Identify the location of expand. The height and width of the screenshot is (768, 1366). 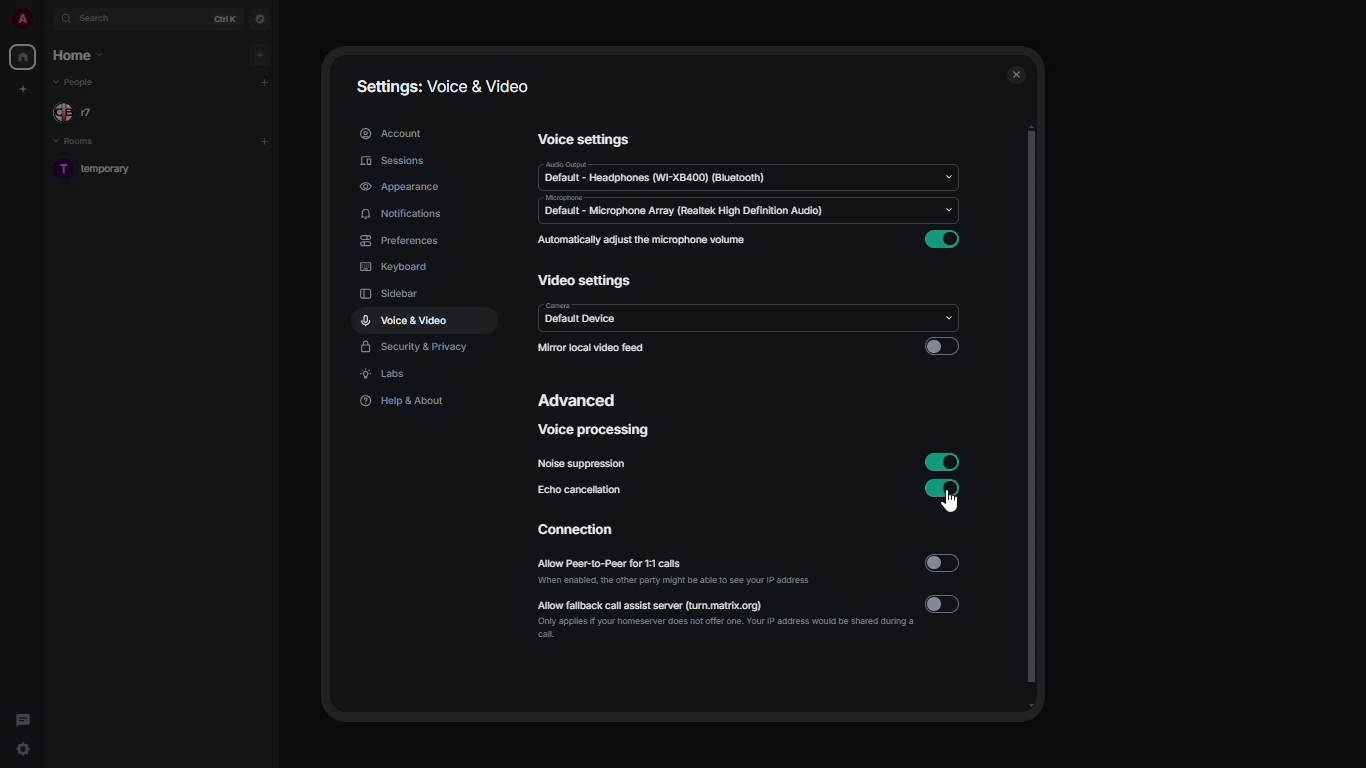
(47, 18).